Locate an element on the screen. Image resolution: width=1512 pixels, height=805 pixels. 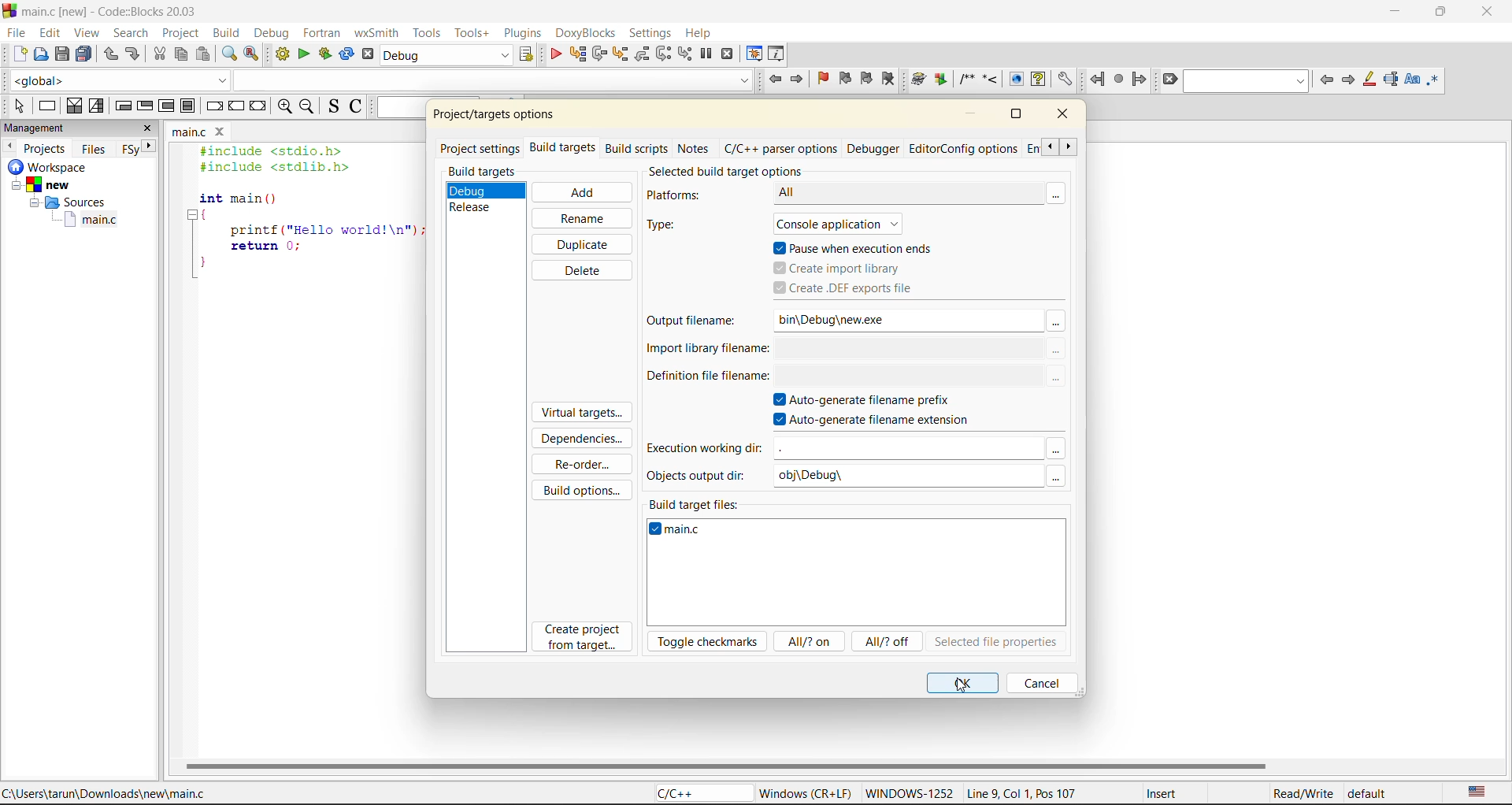
Insert a line comment at the current cursor position is located at coordinates (990, 79).